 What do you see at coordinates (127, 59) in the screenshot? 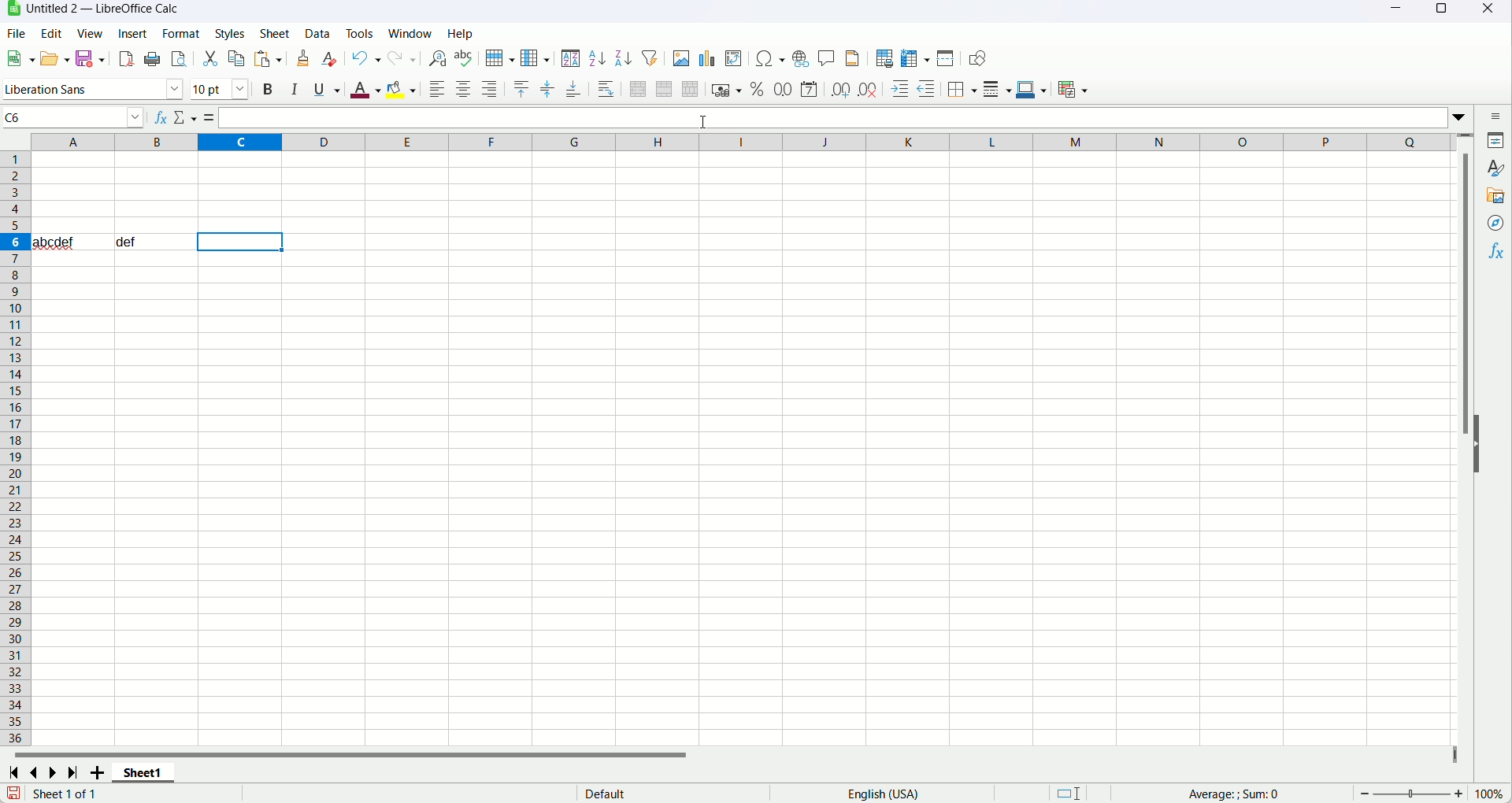
I see `export as PDF` at bounding box center [127, 59].